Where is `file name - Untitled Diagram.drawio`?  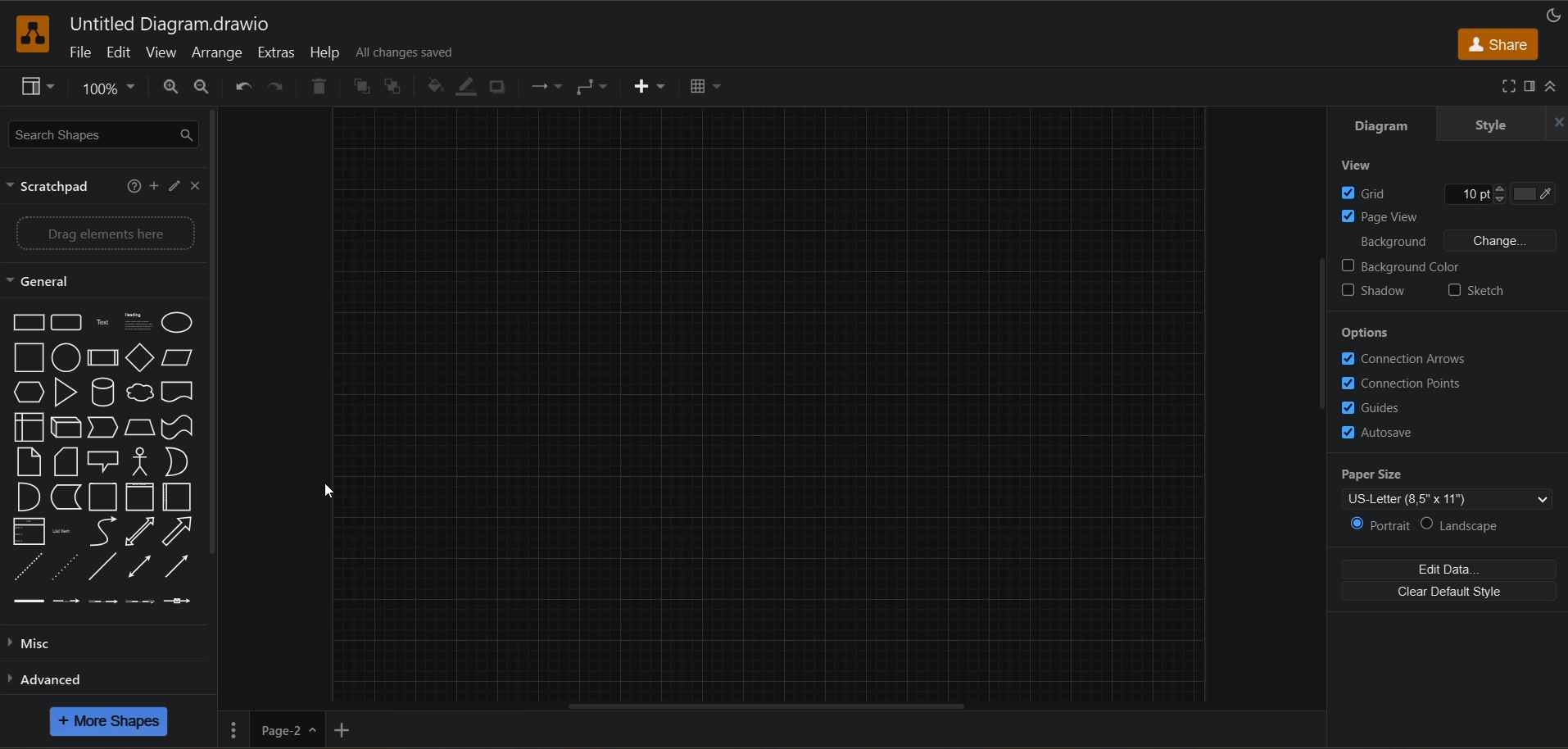
file name - Untitled Diagram.drawio is located at coordinates (229, 22).